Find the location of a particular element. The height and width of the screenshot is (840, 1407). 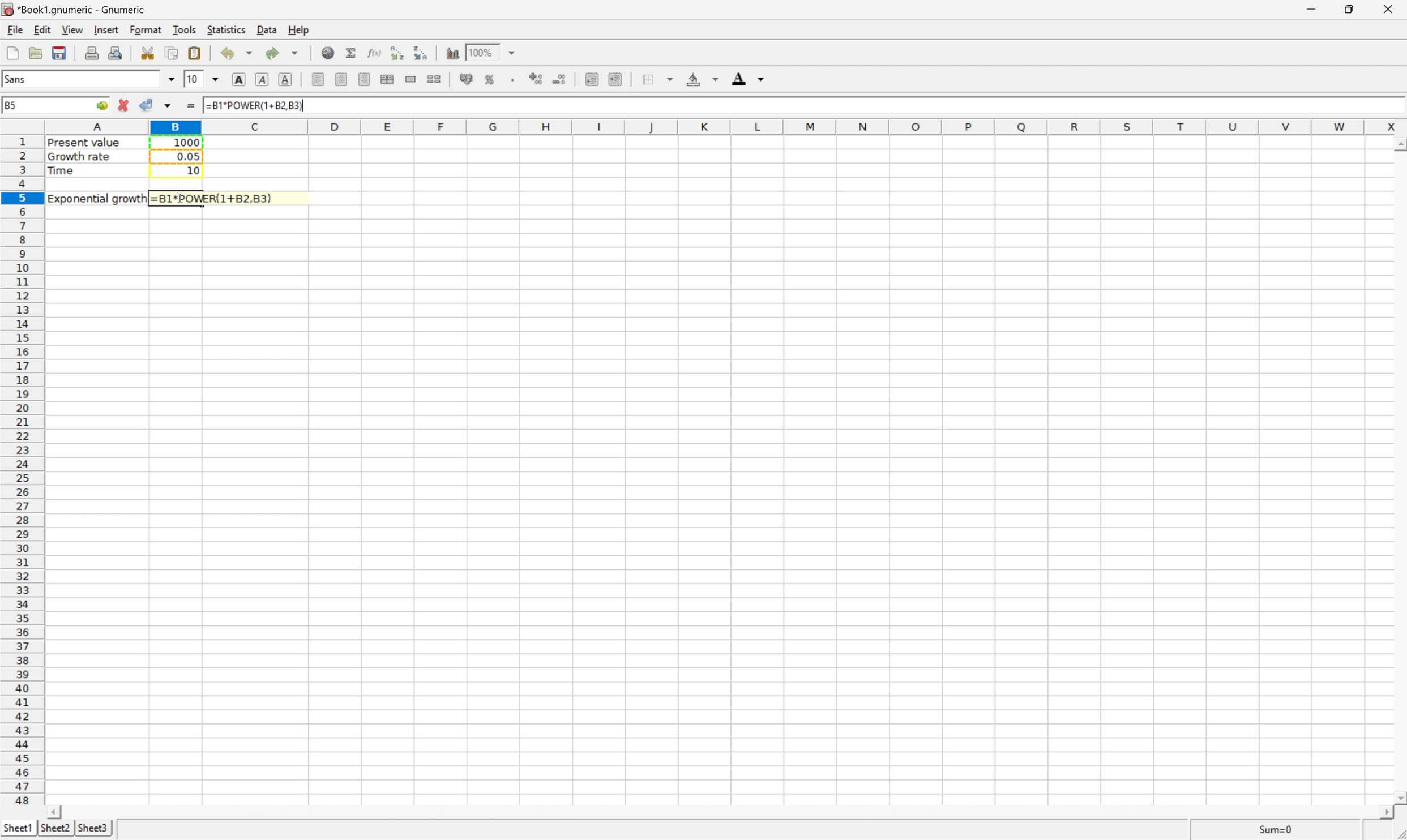

=B1*POWER(1+B2,B3) is located at coordinates (254, 104).